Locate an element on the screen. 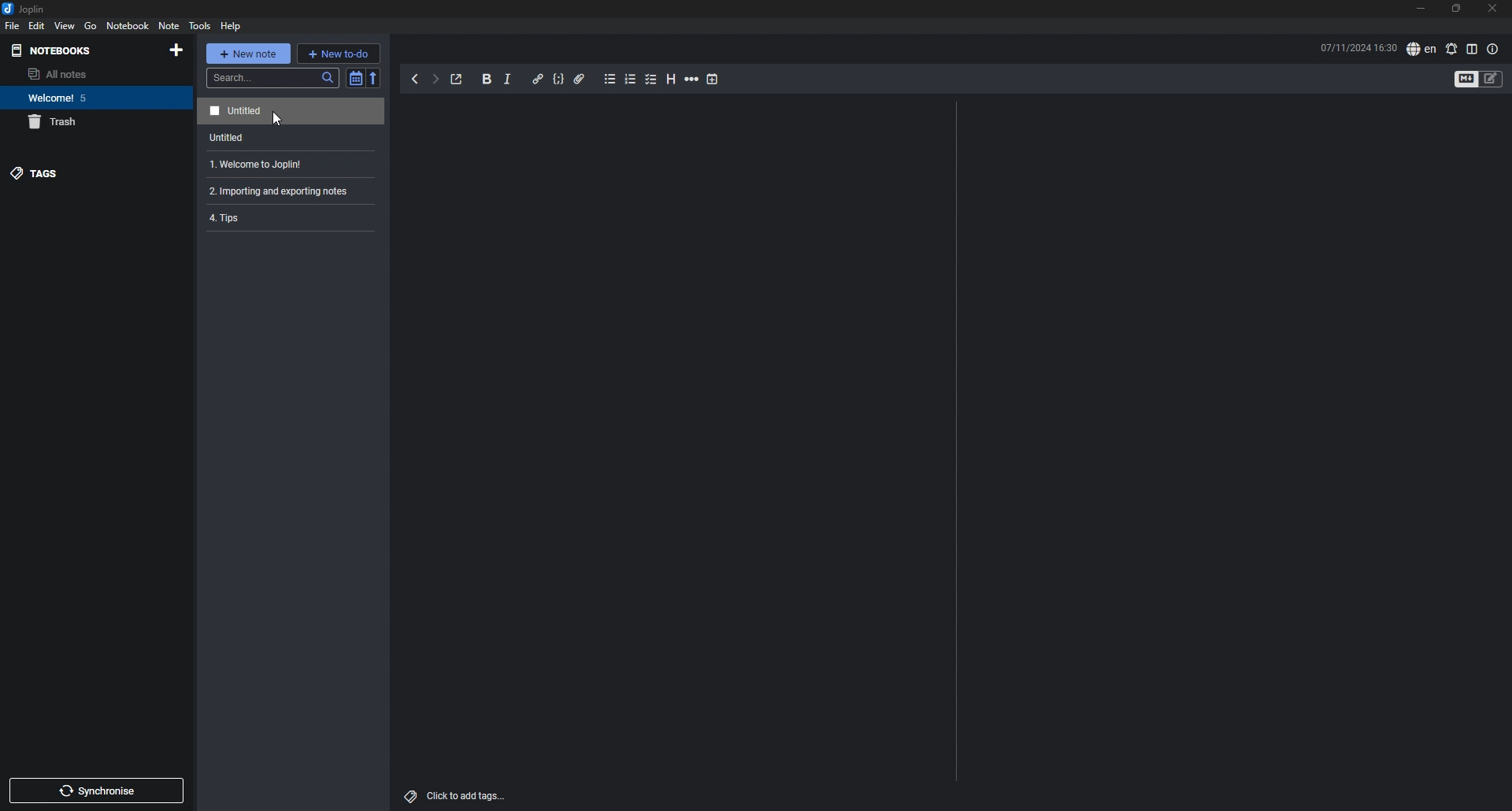  new todo is located at coordinates (339, 53).